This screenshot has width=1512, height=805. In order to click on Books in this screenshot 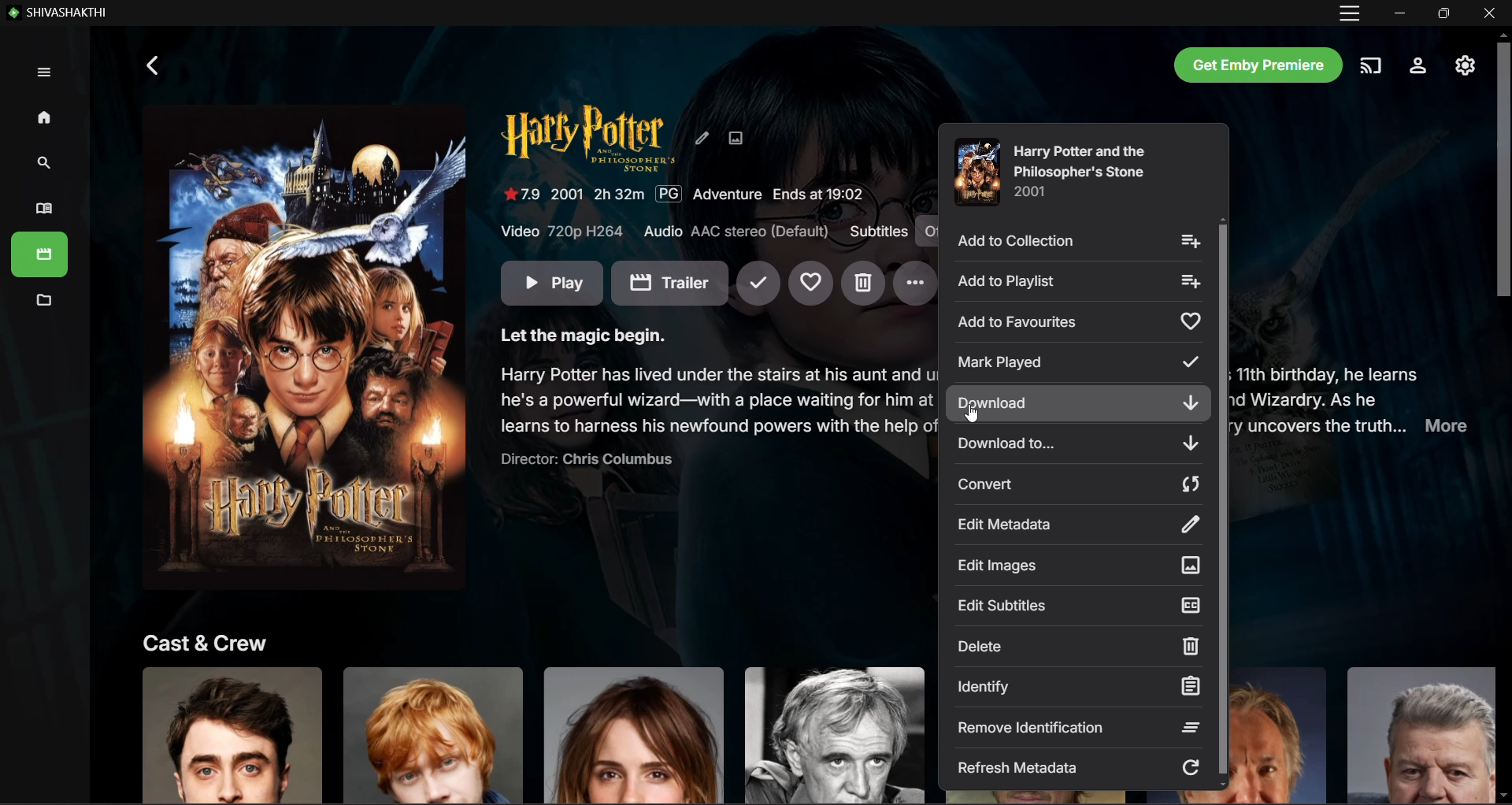, I will do `click(39, 210)`.